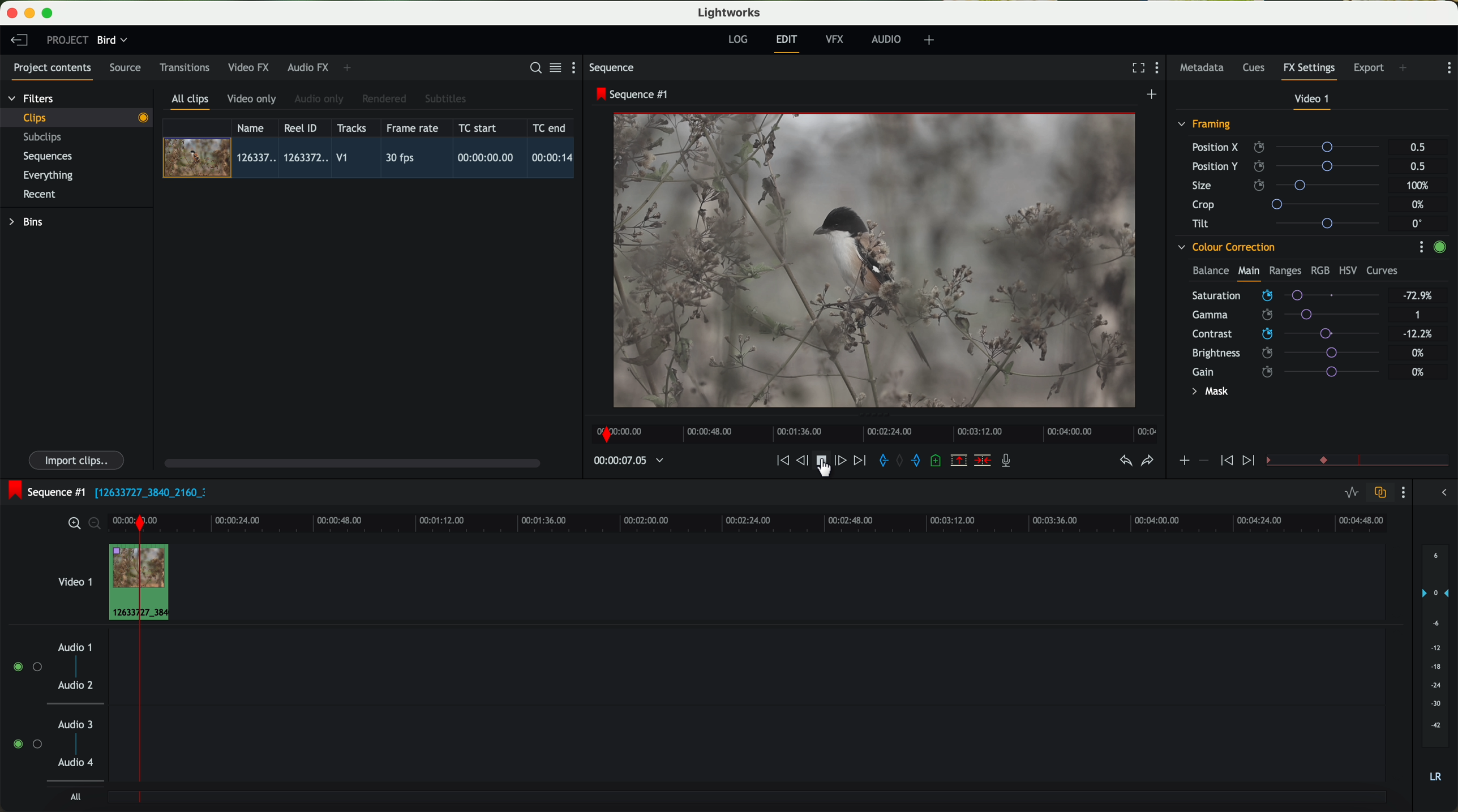 The image size is (1458, 812). I want to click on TC end, so click(550, 127).